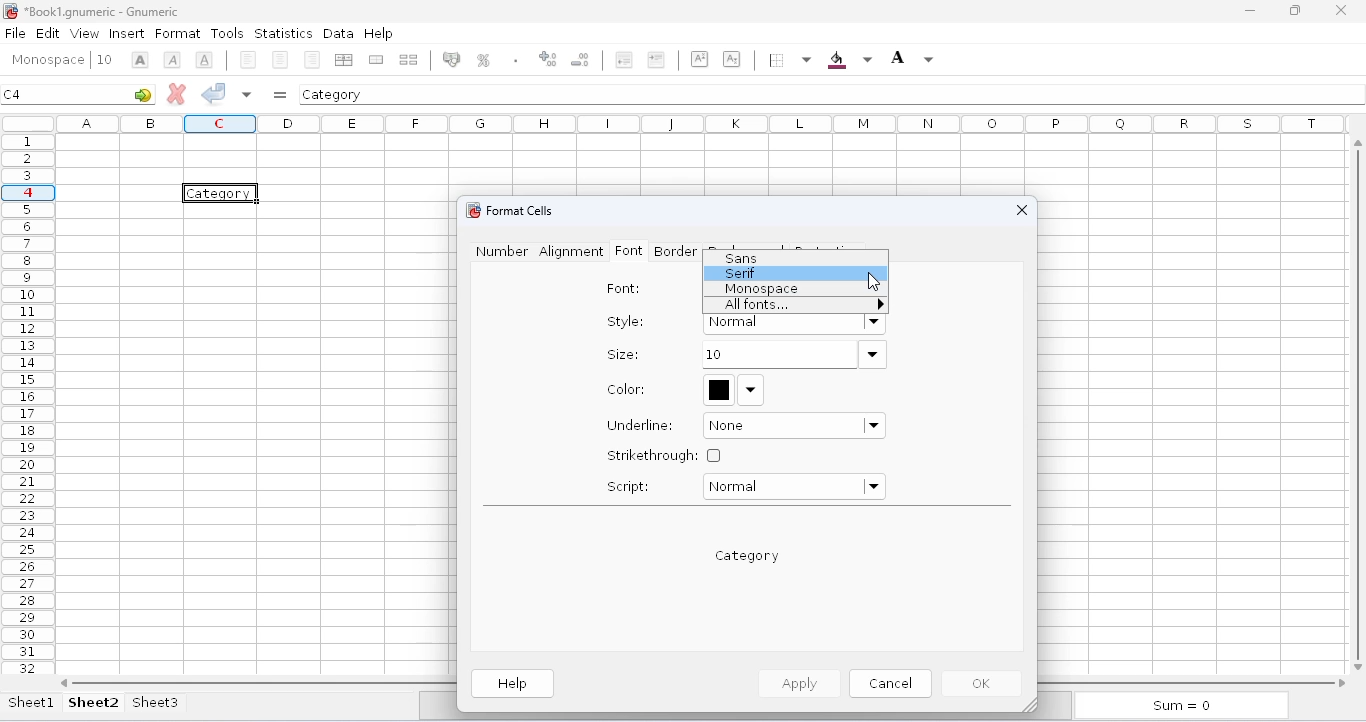 The image size is (1366, 722). What do you see at coordinates (912, 58) in the screenshot?
I see `foreground` at bounding box center [912, 58].